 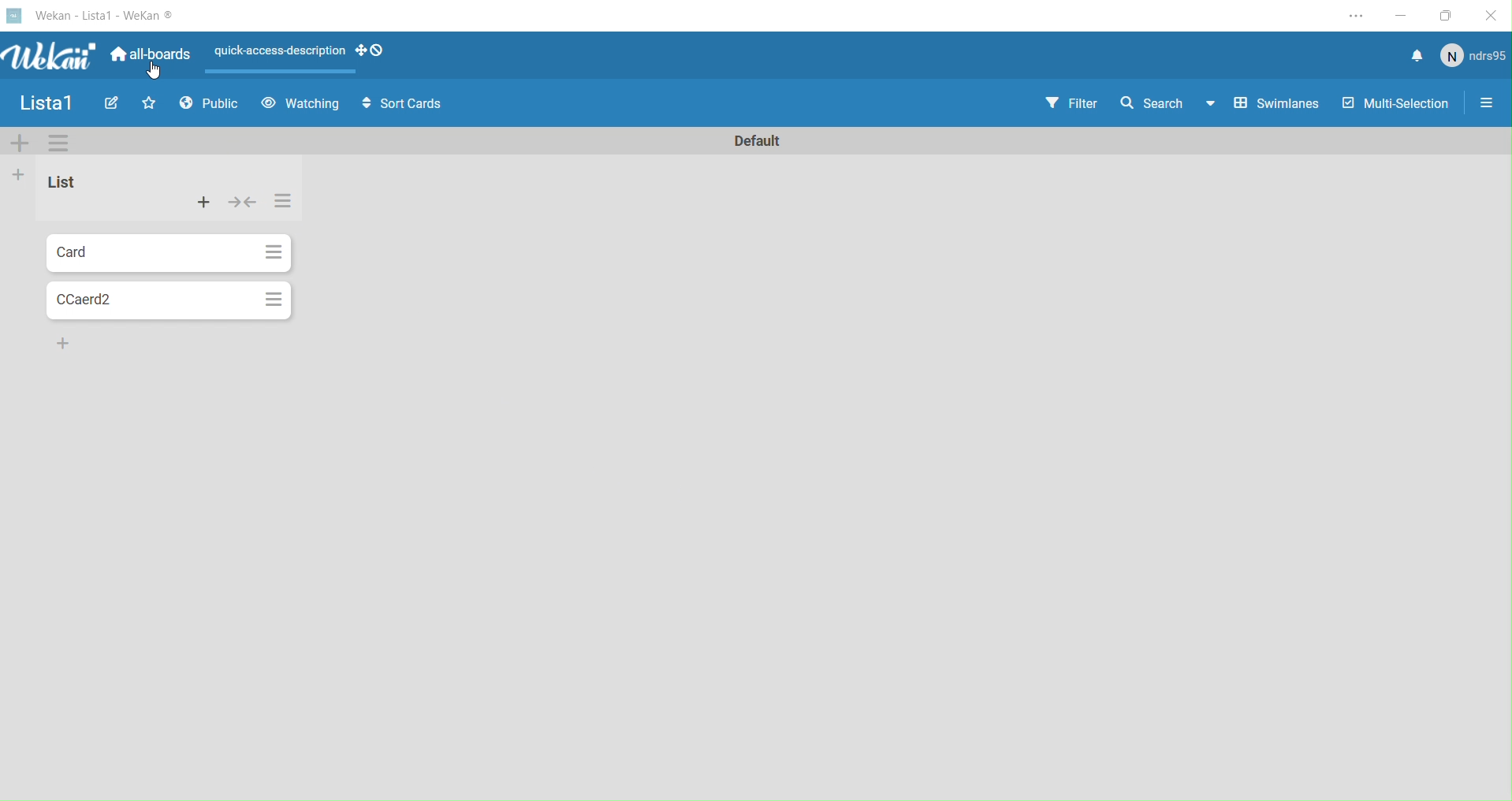 What do you see at coordinates (95, 14) in the screenshot?
I see `WeKan` at bounding box center [95, 14].